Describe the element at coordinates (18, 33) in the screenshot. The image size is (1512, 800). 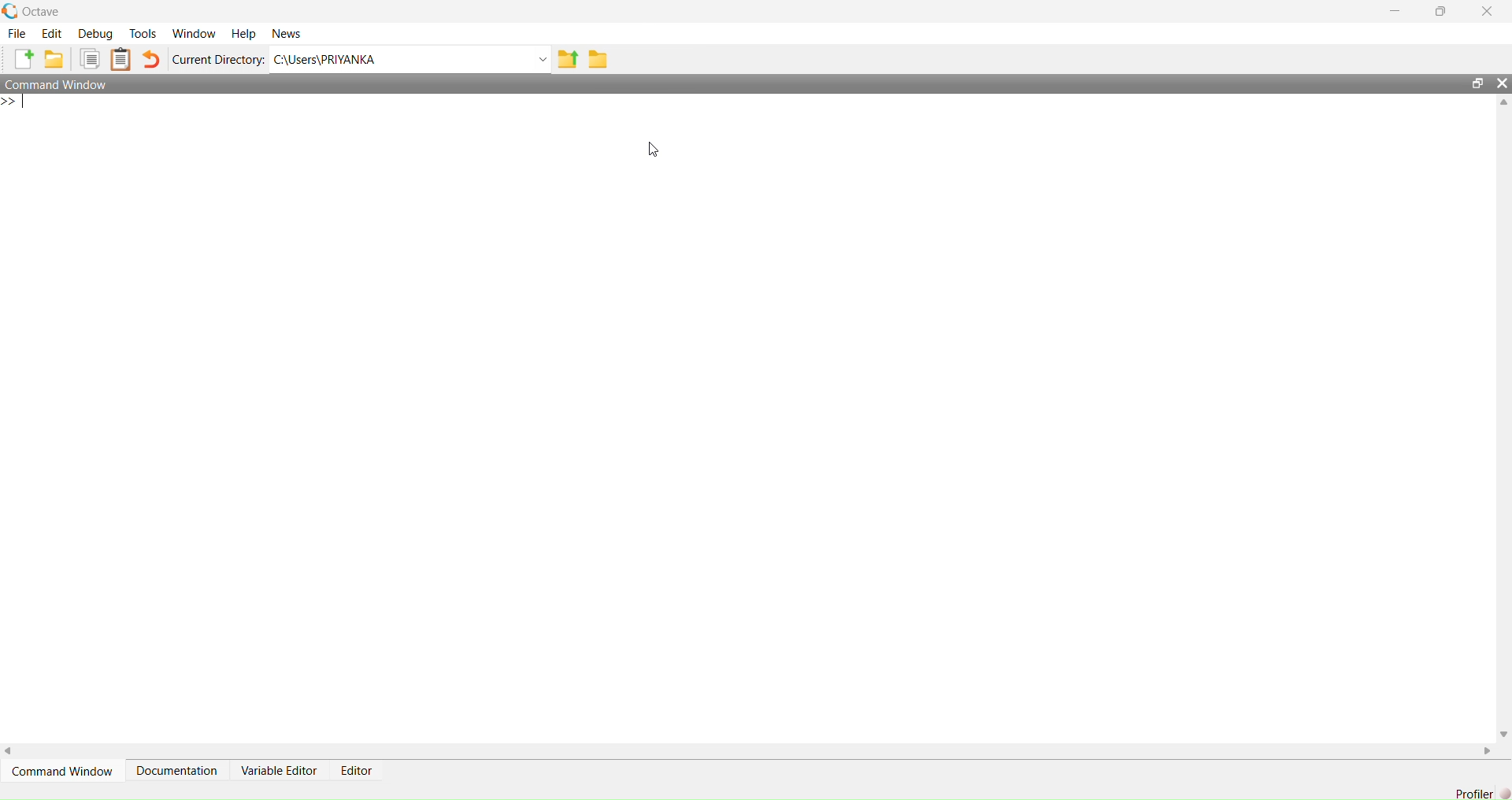
I see `File` at that location.